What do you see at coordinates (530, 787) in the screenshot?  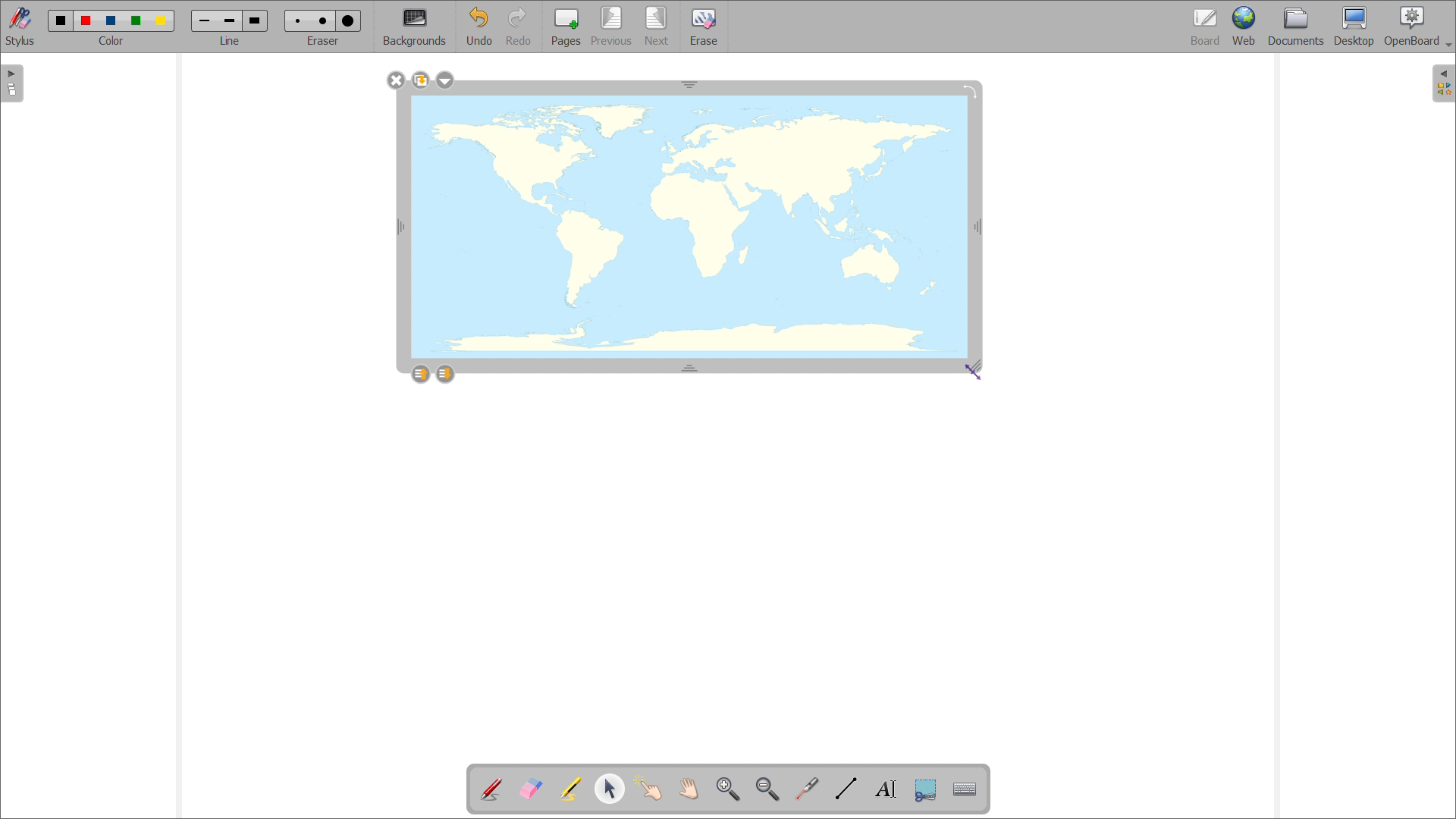 I see `erase annotations` at bounding box center [530, 787].